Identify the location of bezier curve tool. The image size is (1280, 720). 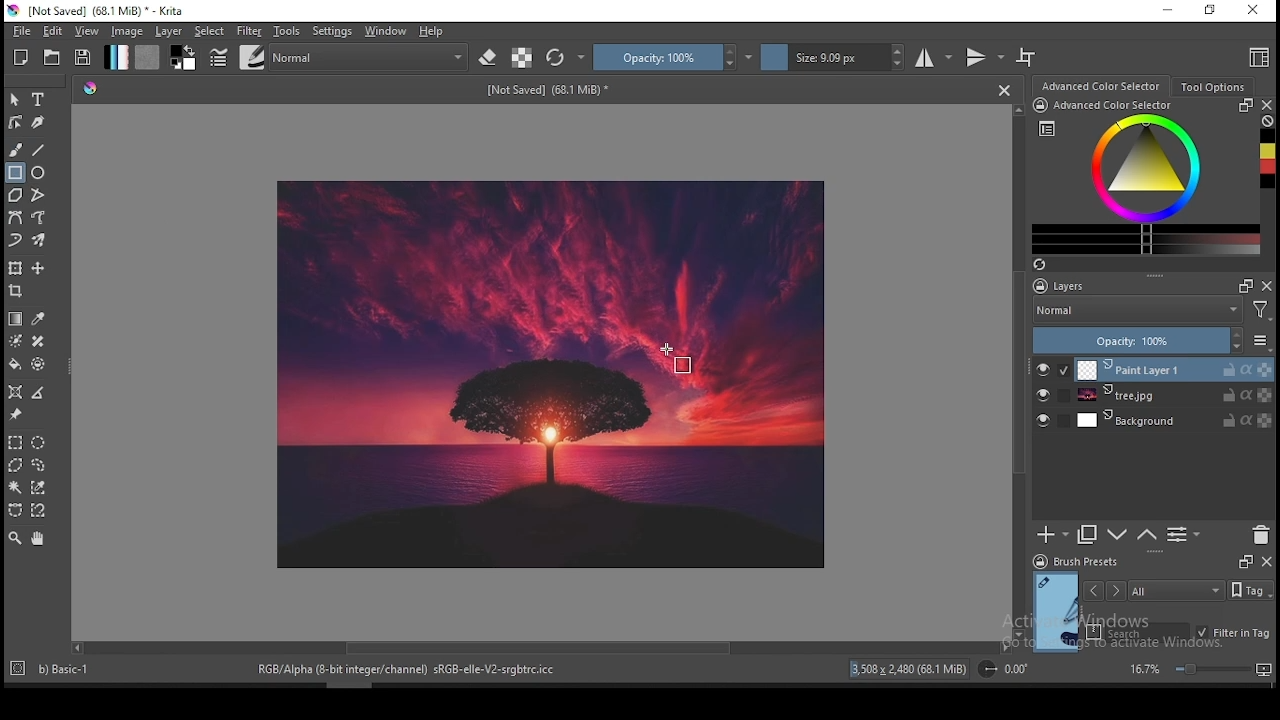
(16, 218).